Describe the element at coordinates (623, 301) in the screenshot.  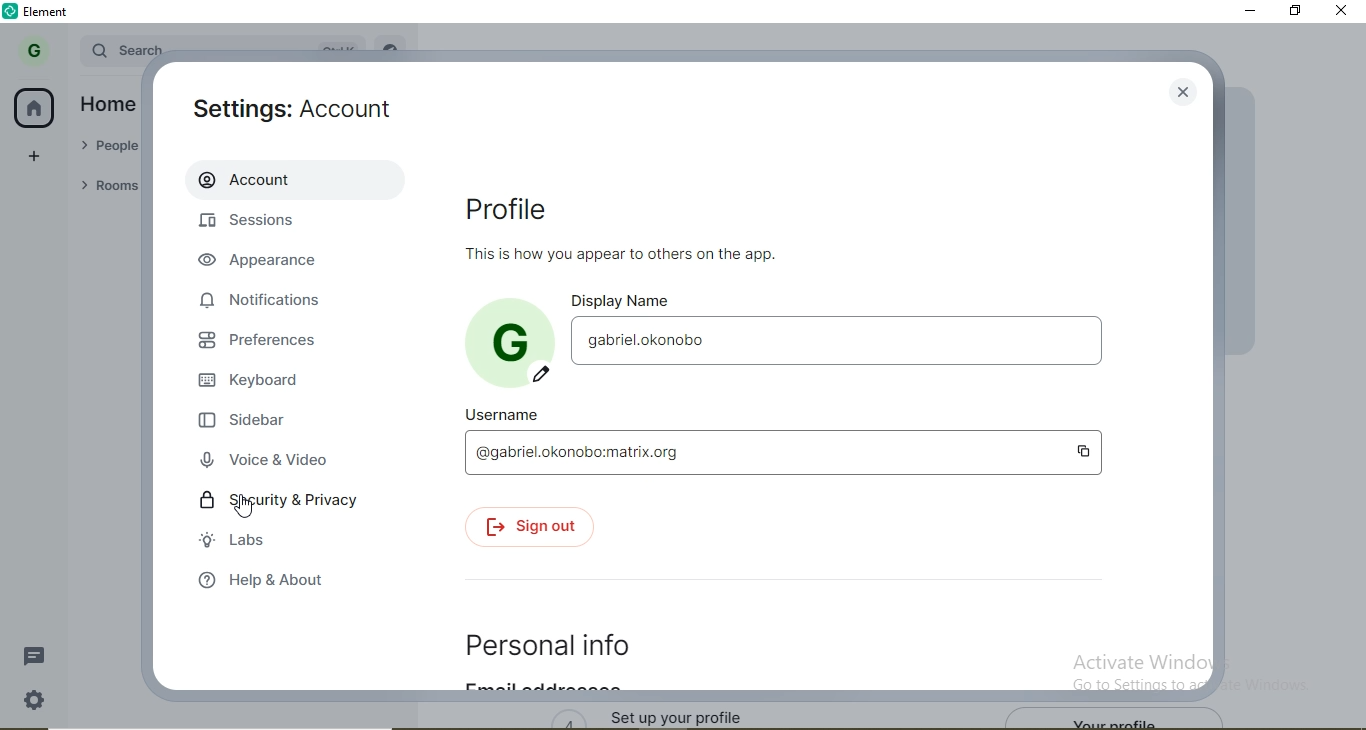
I see `display name` at that location.